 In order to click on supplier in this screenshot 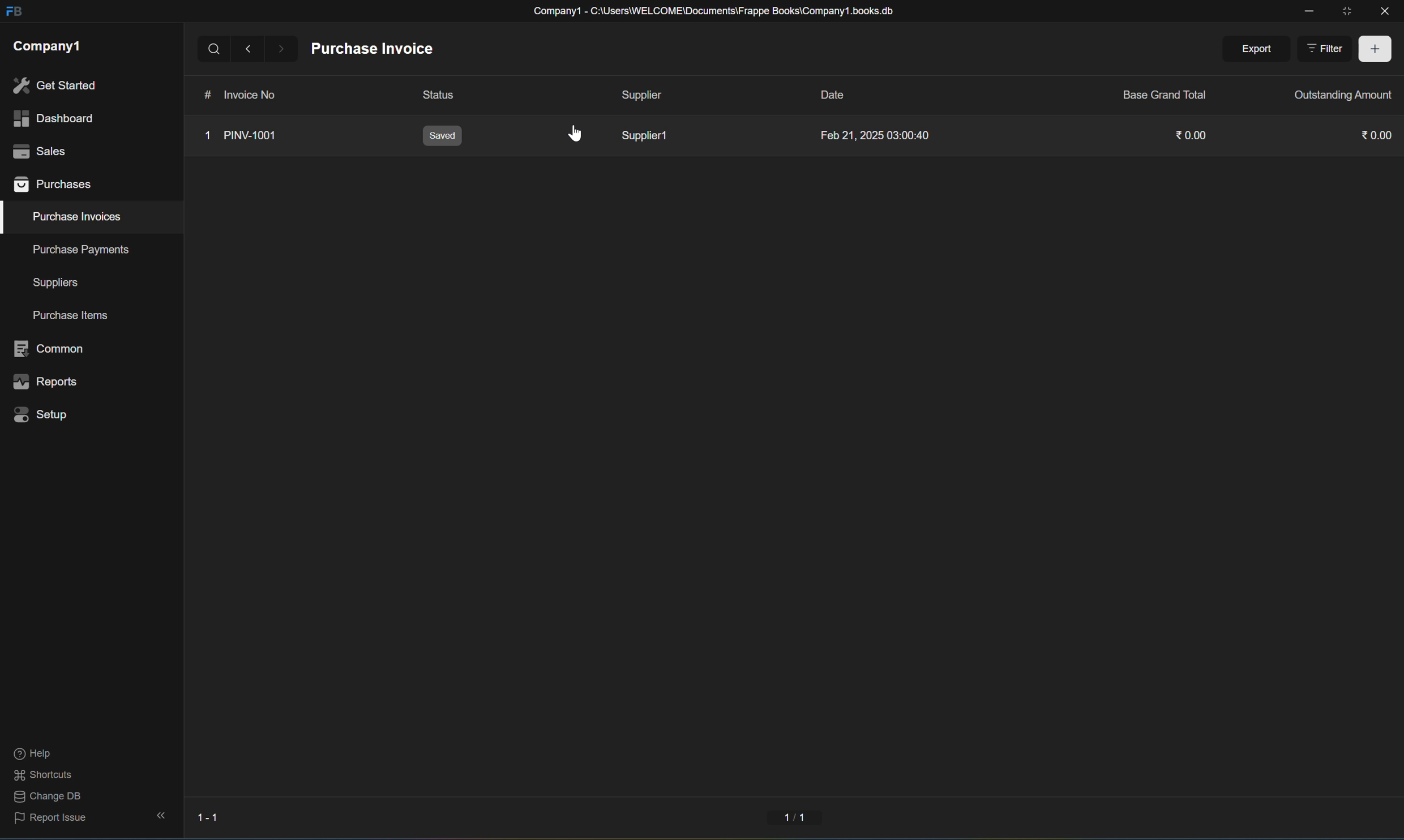, I will do `click(640, 96)`.